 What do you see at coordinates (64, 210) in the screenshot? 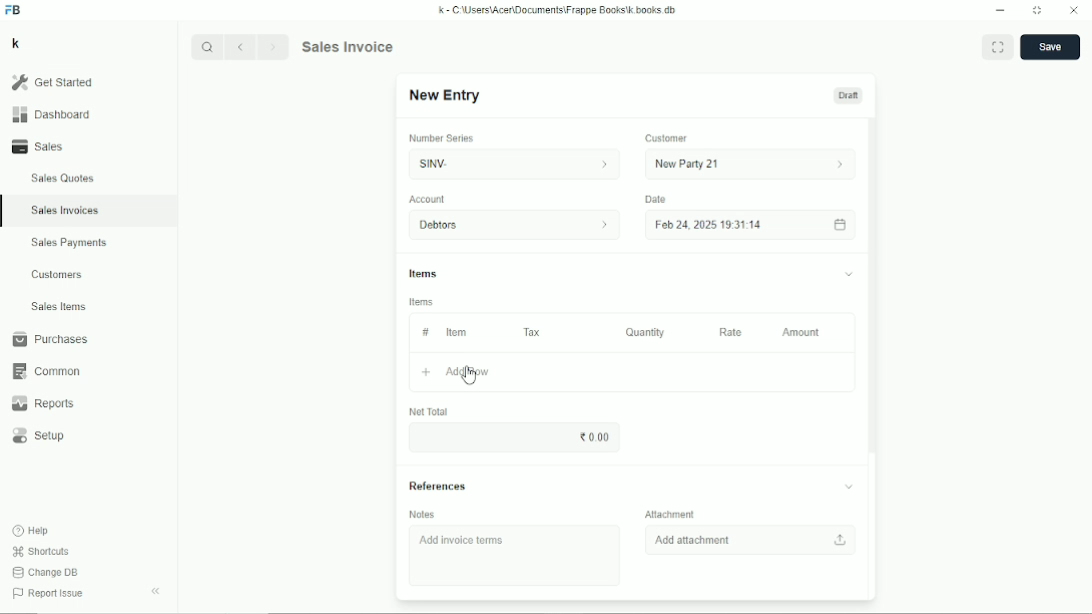
I see `Sales invoices` at bounding box center [64, 210].